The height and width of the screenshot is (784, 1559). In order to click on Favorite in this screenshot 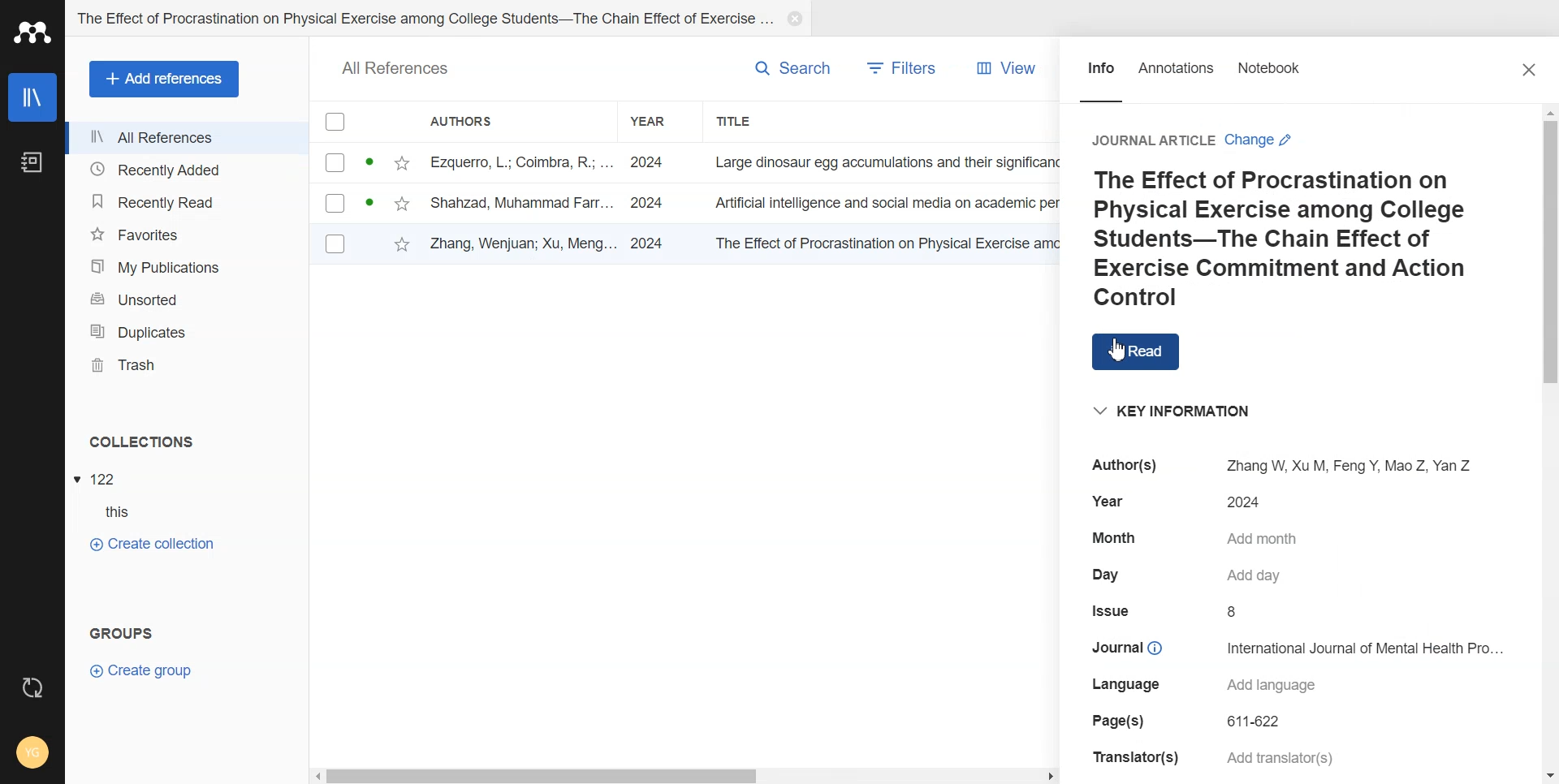, I will do `click(403, 239)`.